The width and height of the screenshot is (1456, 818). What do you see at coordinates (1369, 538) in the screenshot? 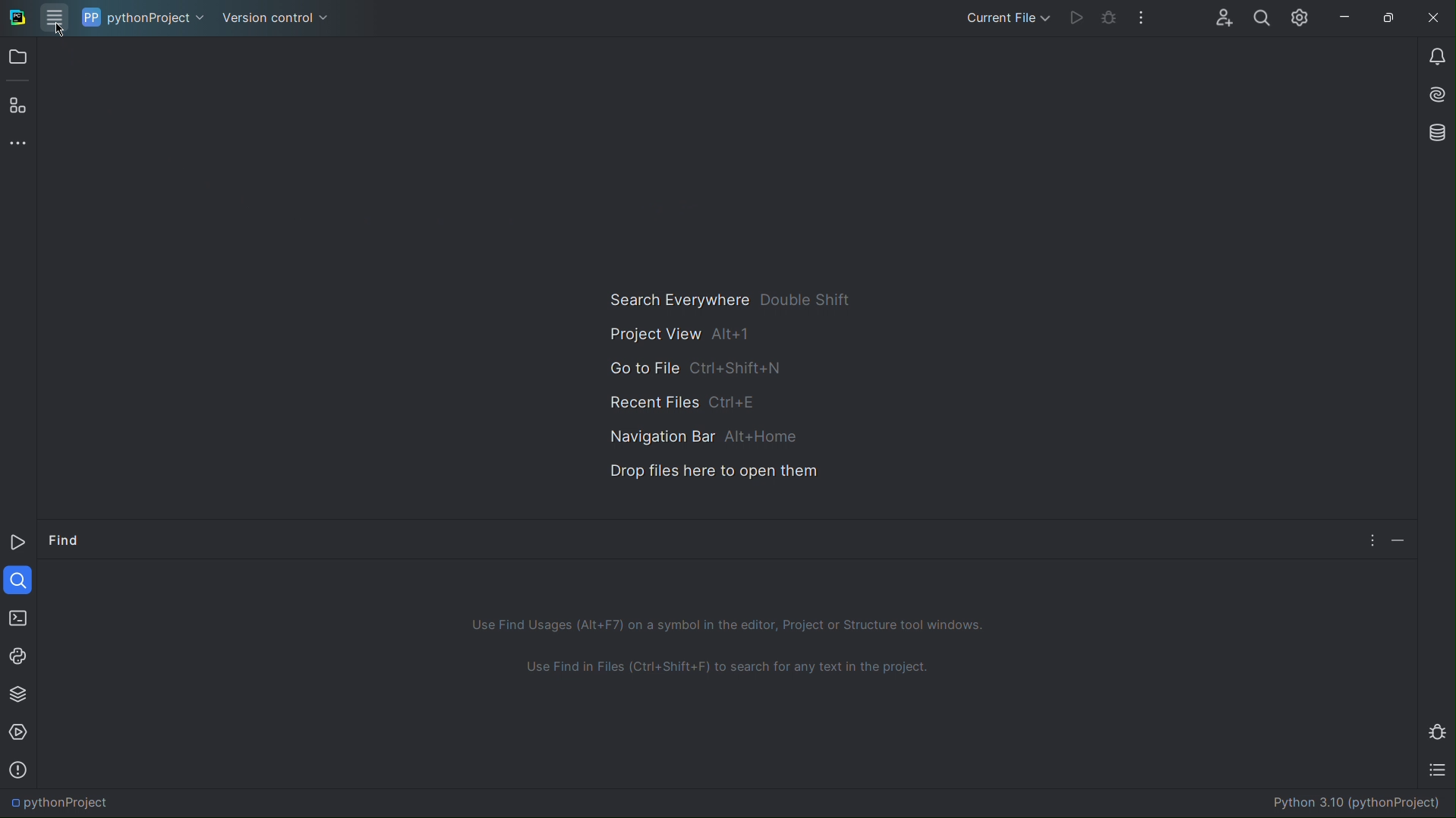
I see `More` at bounding box center [1369, 538].